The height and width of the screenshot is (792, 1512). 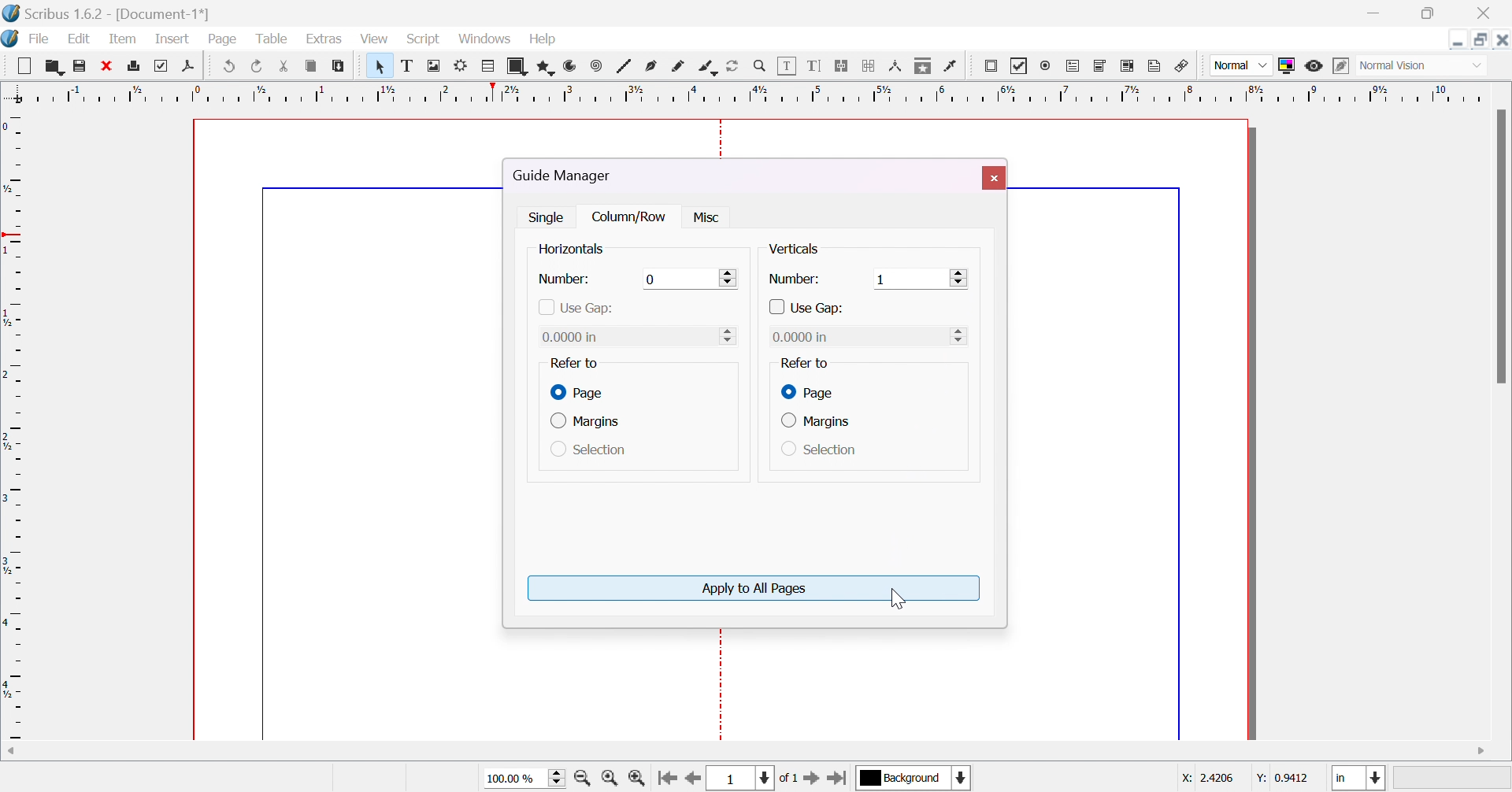 I want to click on help, so click(x=549, y=40).